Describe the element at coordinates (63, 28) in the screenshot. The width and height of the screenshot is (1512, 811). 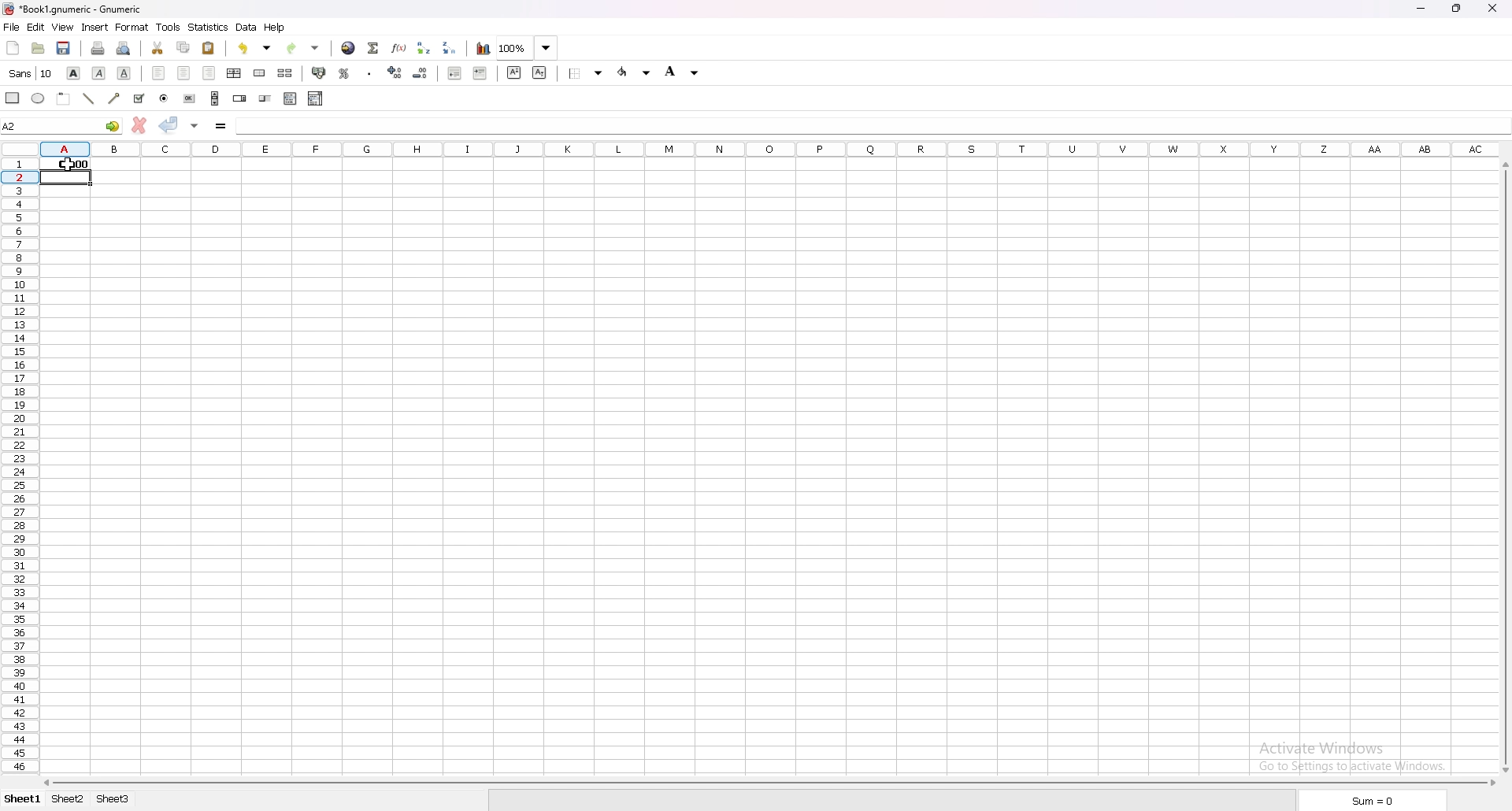
I see `view` at that location.